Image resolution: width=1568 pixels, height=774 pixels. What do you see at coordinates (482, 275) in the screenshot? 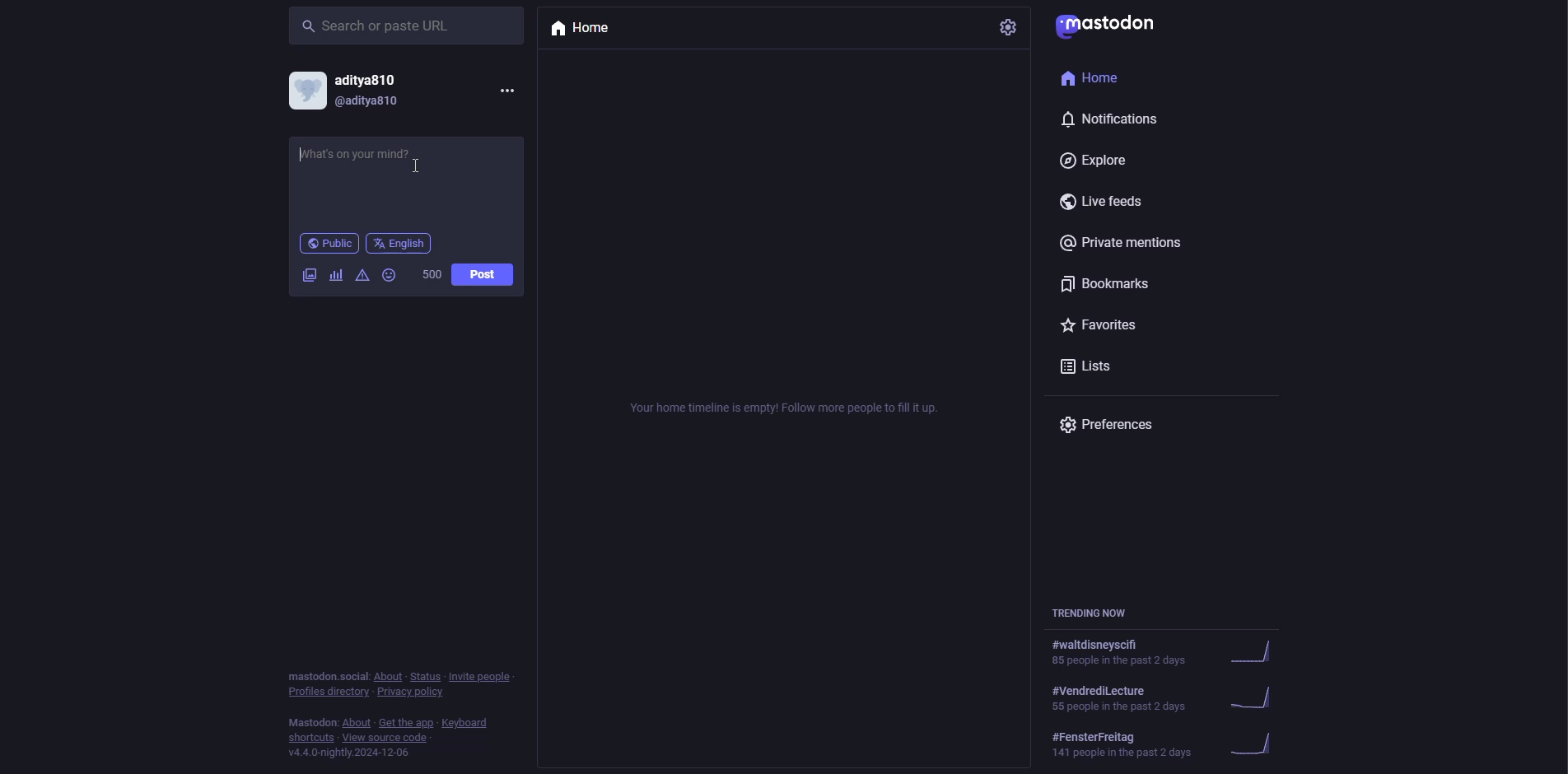
I see `post` at bounding box center [482, 275].